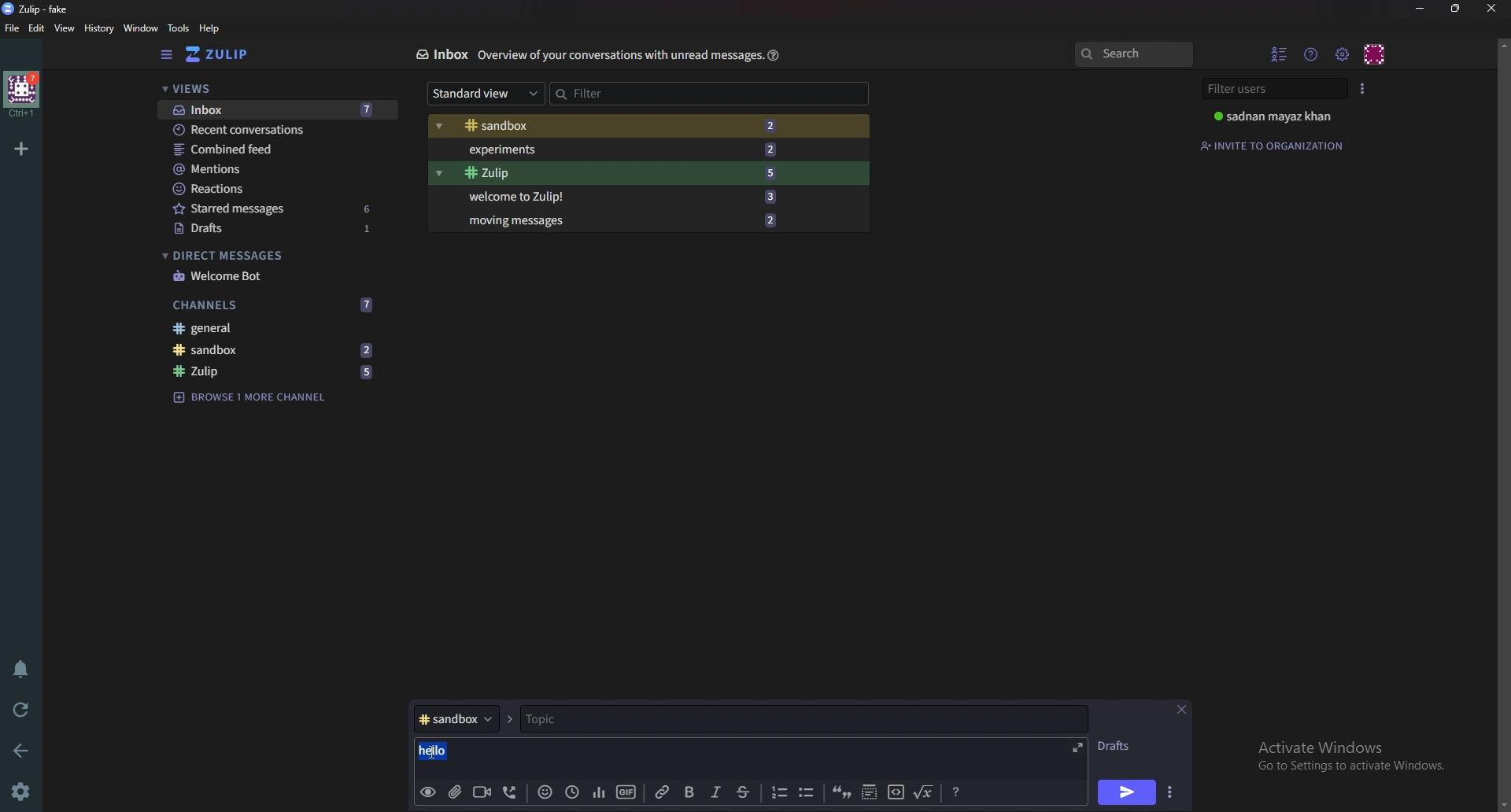 Image resolution: width=1511 pixels, height=812 pixels. What do you see at coordinates (870, 793) in the screenshot?
I see `Spoiler` at bounding box center [870, 793].